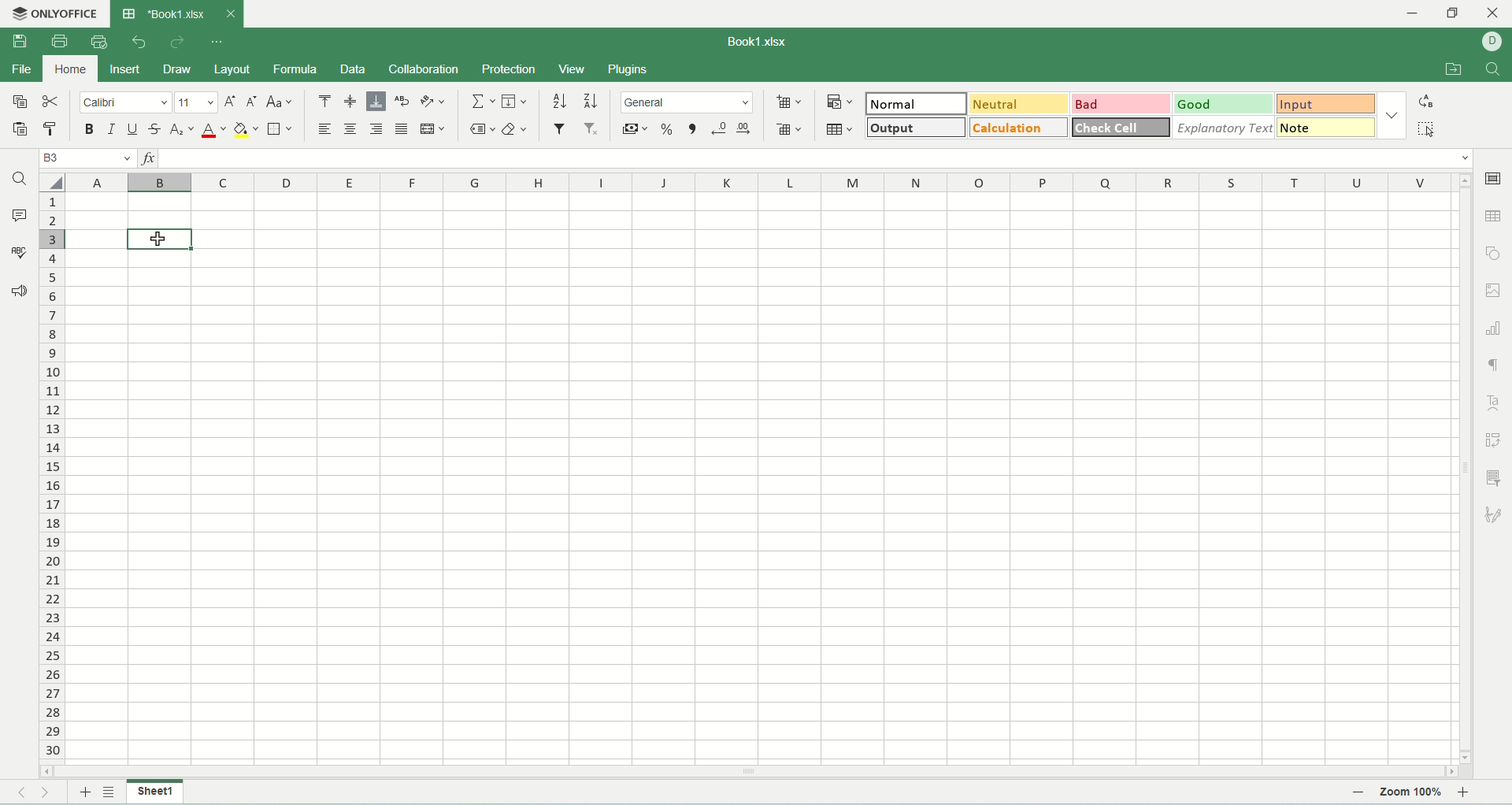 The height and width of the screenshot is (805, 1512). What do you see at coordinates (1494, 70) in the screenshot?
I see `find` at bounding box center [1494, 70].